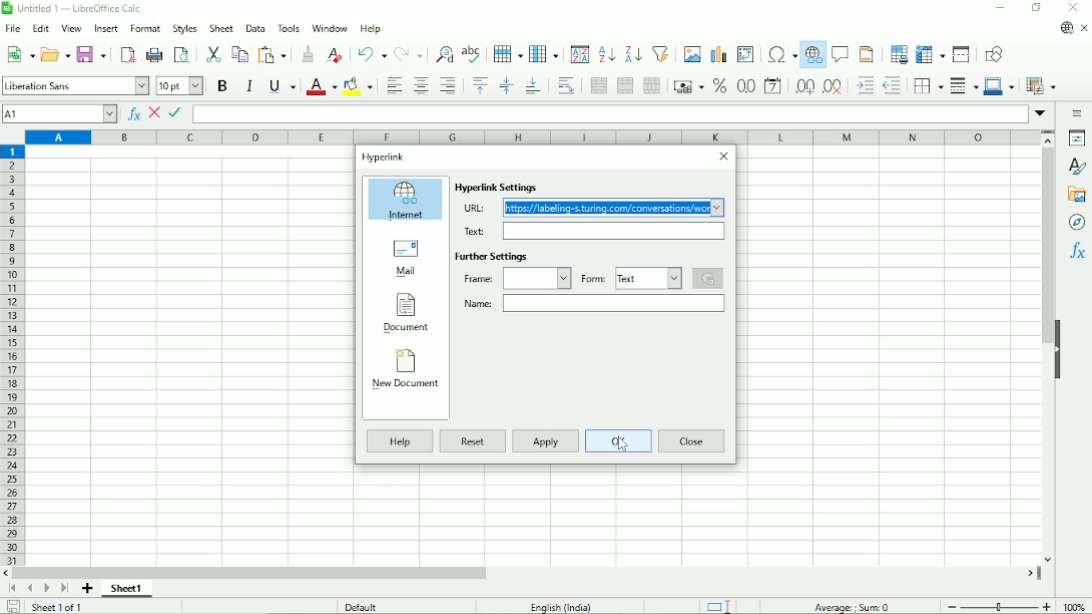 The image size is (1092, 614). What do you see at coordinates (1067, 28) in the screenshot?
I see `Update available` at bounding box center [1067, 28].